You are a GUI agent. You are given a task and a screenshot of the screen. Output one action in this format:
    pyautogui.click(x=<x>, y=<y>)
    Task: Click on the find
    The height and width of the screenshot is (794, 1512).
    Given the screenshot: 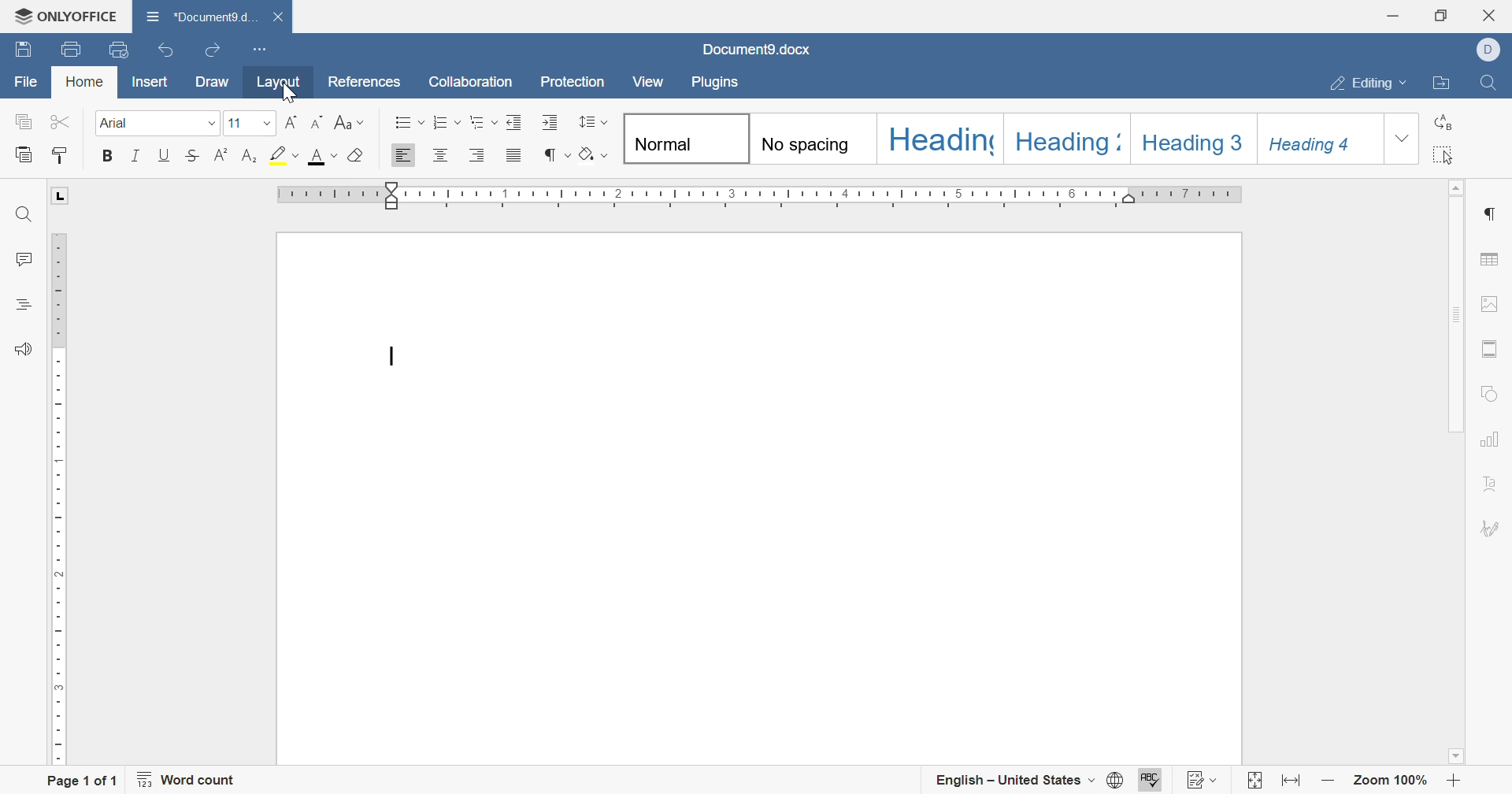 What is the action you would take?
    pyautogui.click(x=1487, y=80)
    